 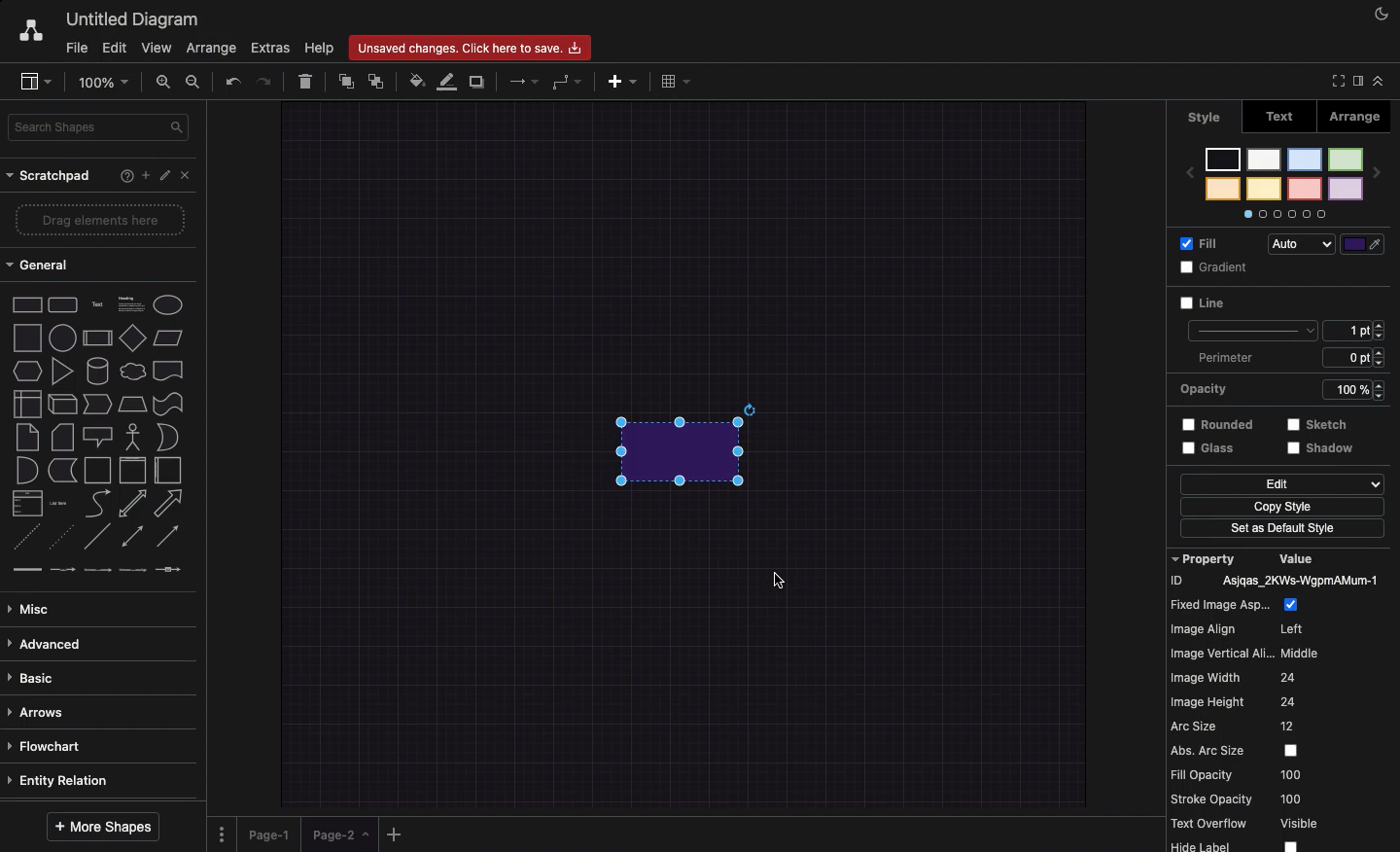 I want to click on Draw.io, so click(x=30, y=29).